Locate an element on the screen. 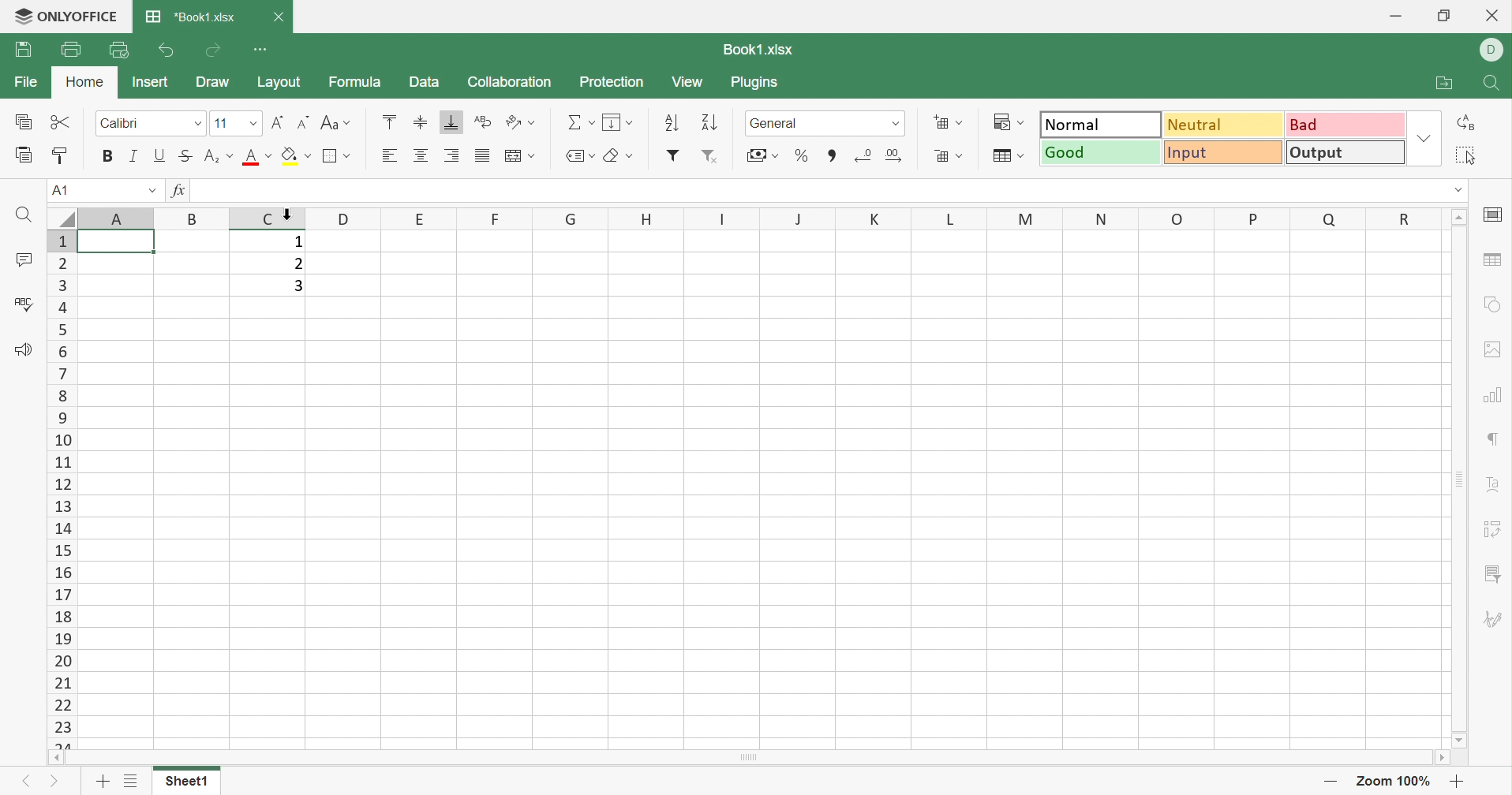 The image size is (1512, 795). View is located at coordinates (687, 82).